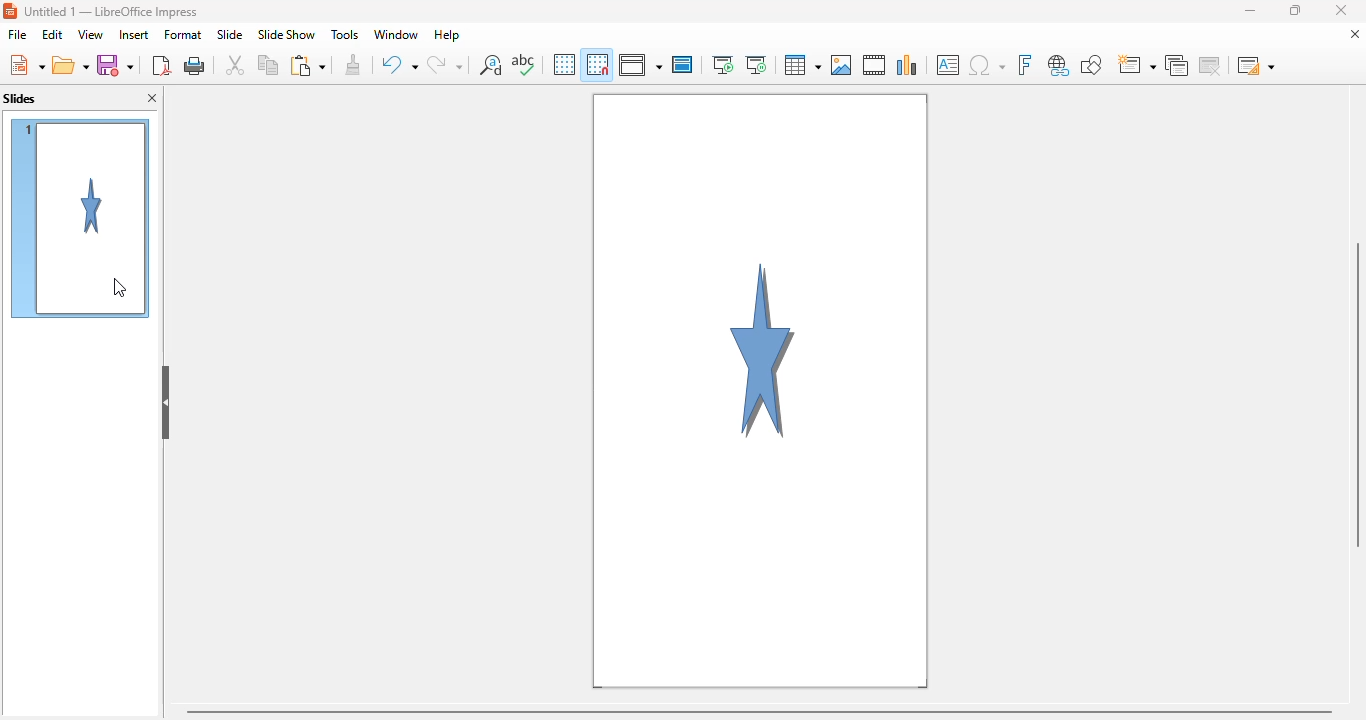 This screenshot has width=1366, height=720. Describe the element at coordinates (1255, 65) in the screenshot. I see `slide layout` at that location.